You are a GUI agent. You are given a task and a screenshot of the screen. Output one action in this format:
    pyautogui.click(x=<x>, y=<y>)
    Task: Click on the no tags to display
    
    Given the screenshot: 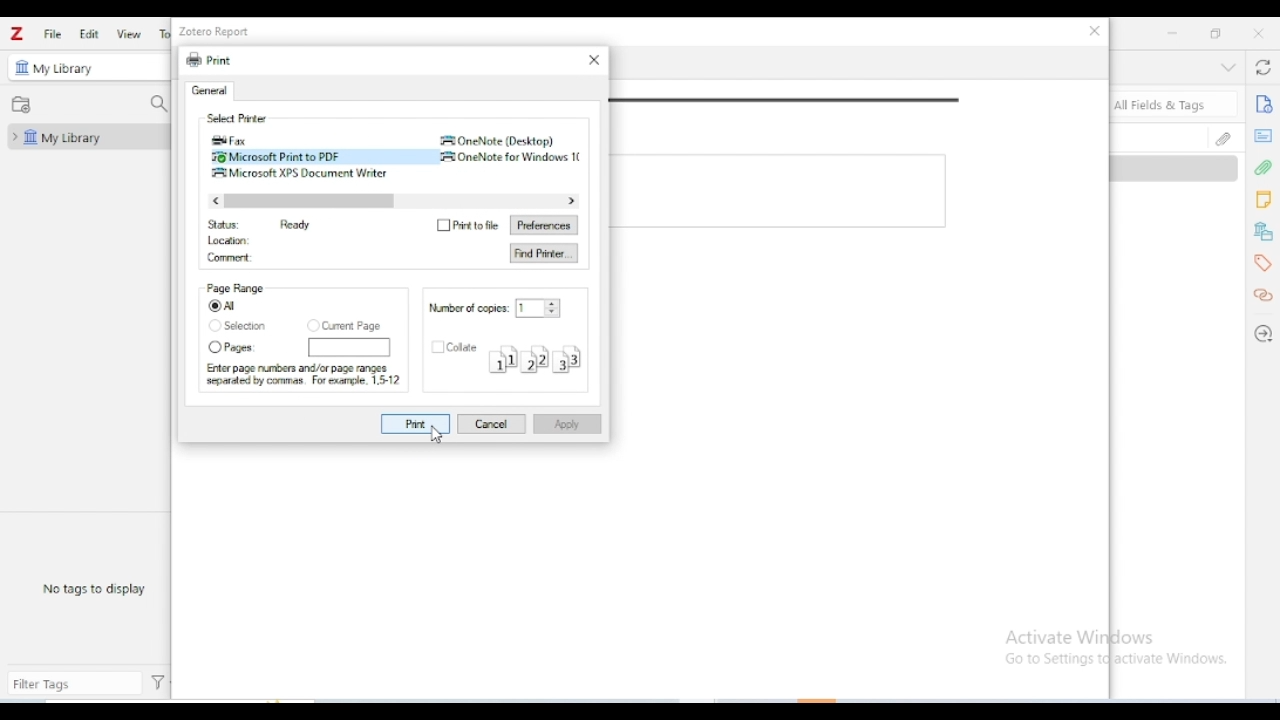 What is the action you would take?
    pyautogui.click(x=93, y=588)
    